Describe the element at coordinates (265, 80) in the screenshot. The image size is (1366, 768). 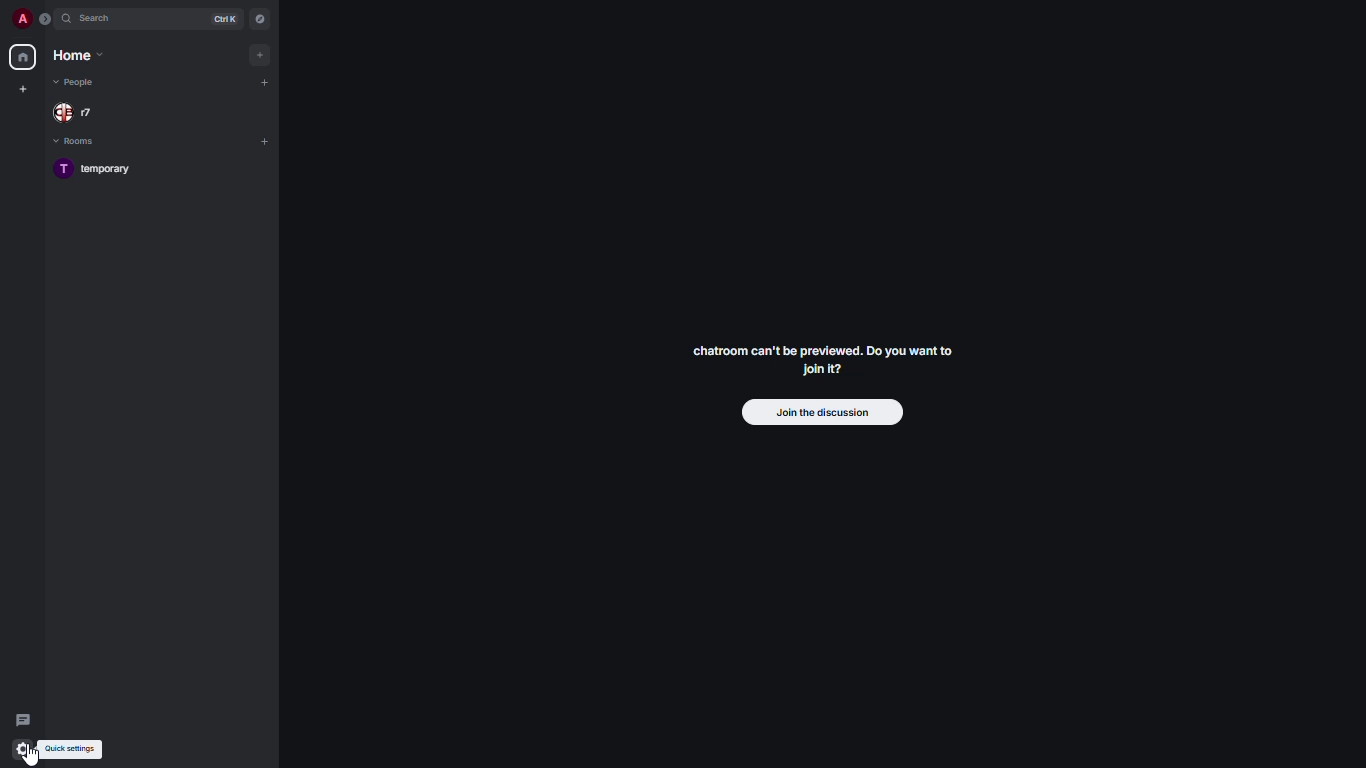
I see `add` at that location.